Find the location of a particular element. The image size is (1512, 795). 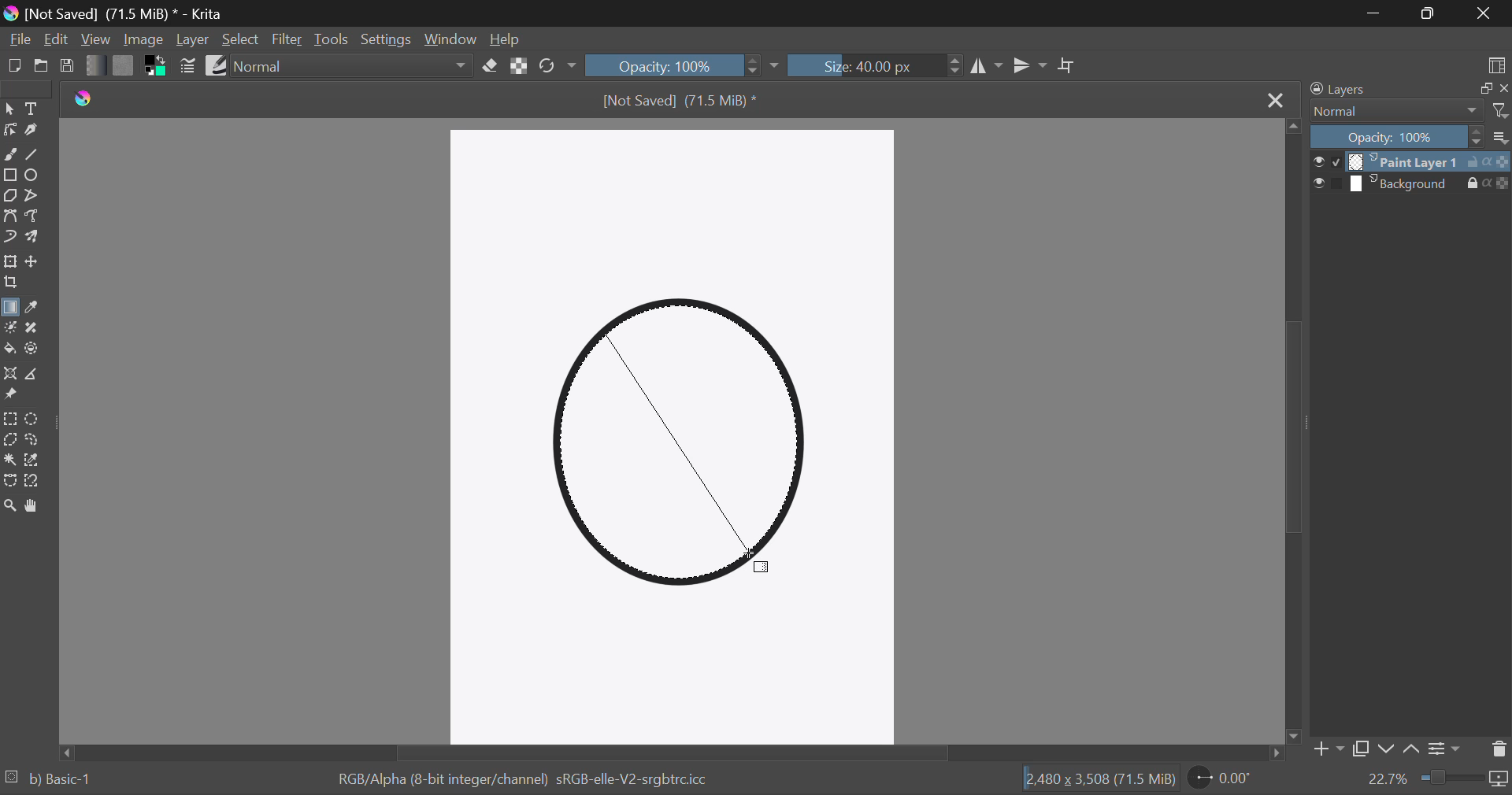

Measurement is located at coordinates (37, 375).